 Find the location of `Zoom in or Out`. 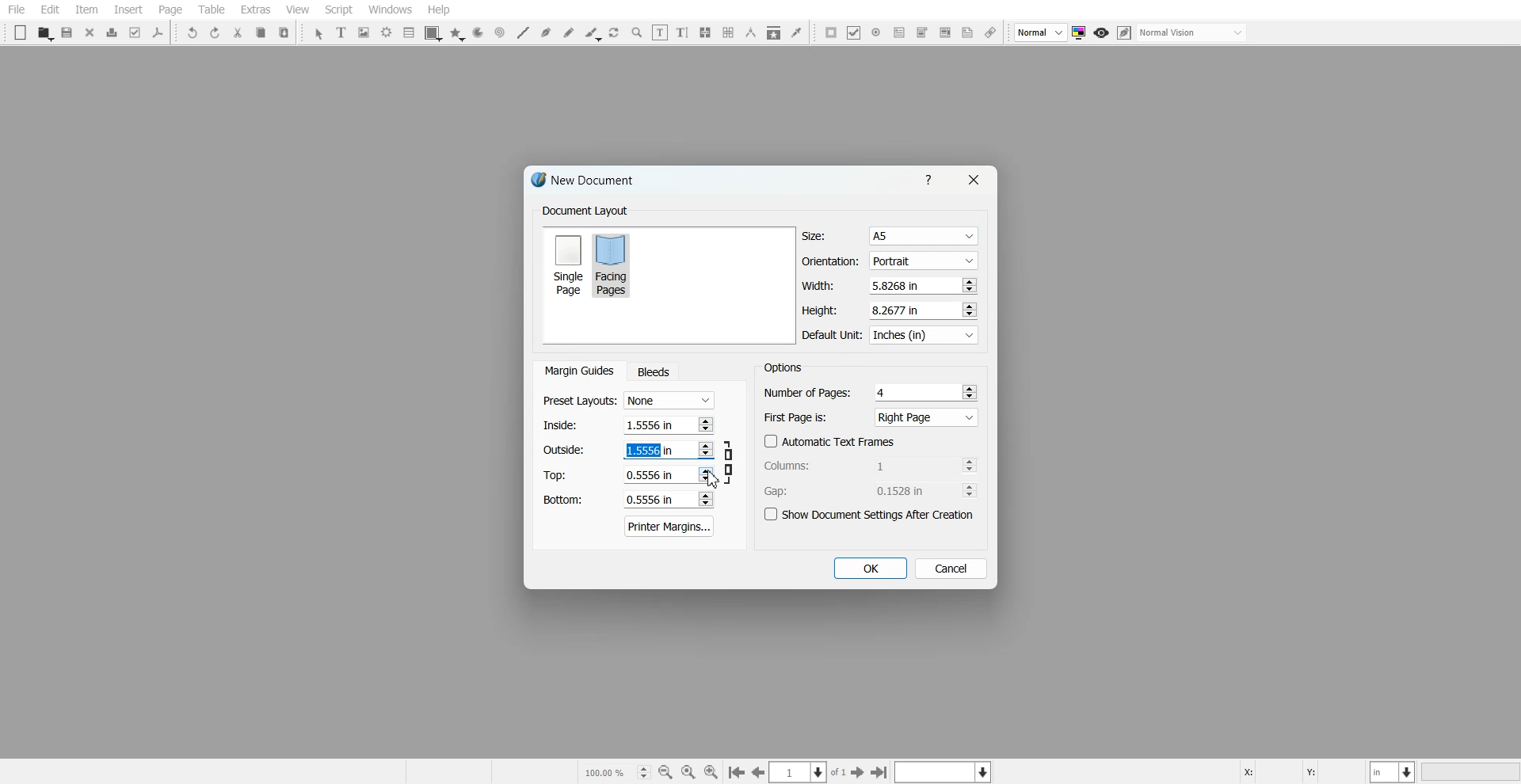

Zoom in or Out is located at coordinates (637, 32).